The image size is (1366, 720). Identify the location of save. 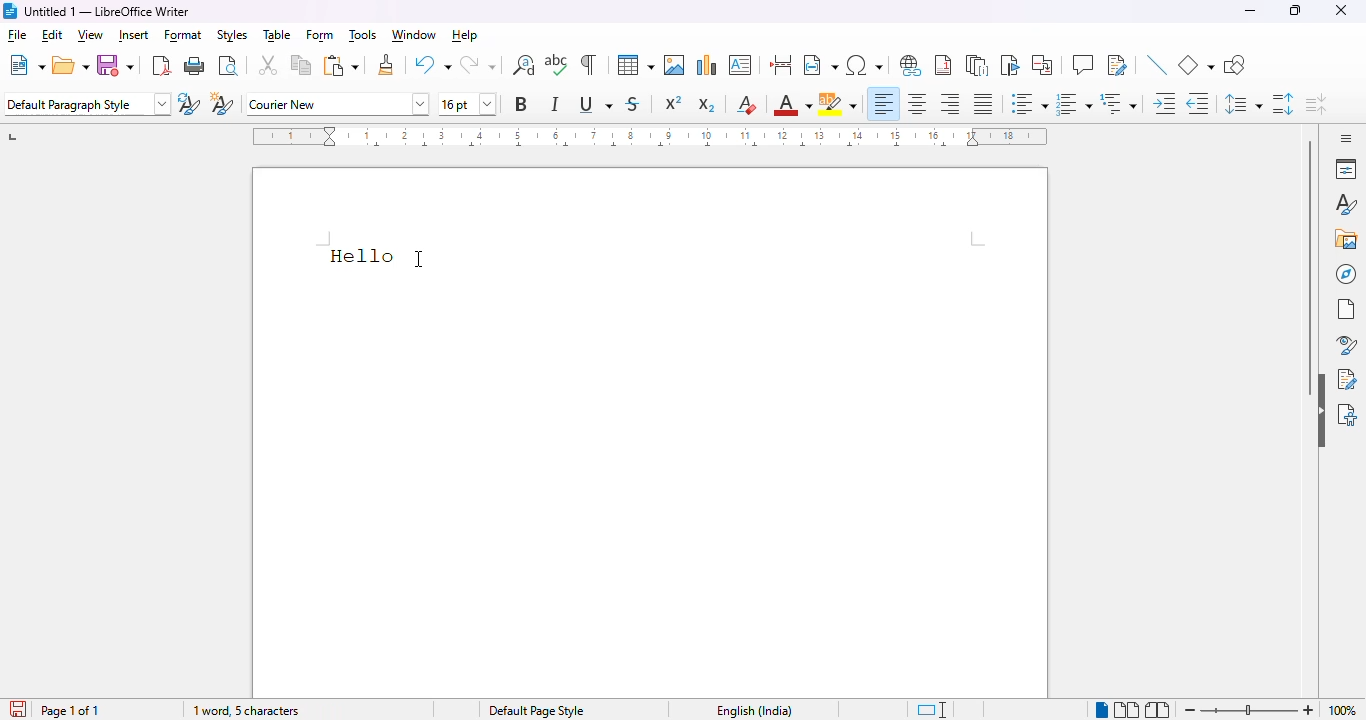
(16, 708).